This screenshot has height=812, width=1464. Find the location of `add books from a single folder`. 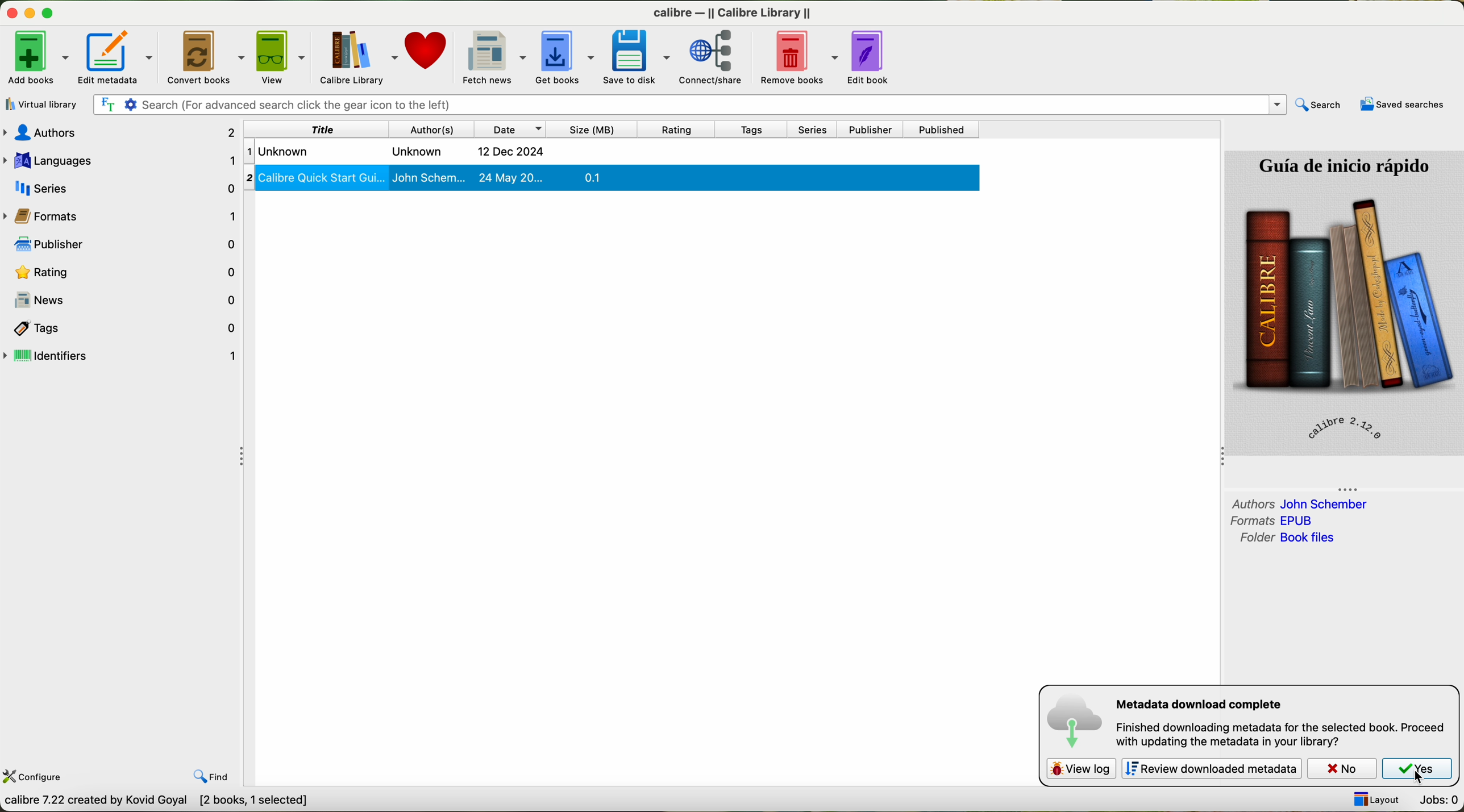

add books from a single folder is located at coordinates (45, 101).